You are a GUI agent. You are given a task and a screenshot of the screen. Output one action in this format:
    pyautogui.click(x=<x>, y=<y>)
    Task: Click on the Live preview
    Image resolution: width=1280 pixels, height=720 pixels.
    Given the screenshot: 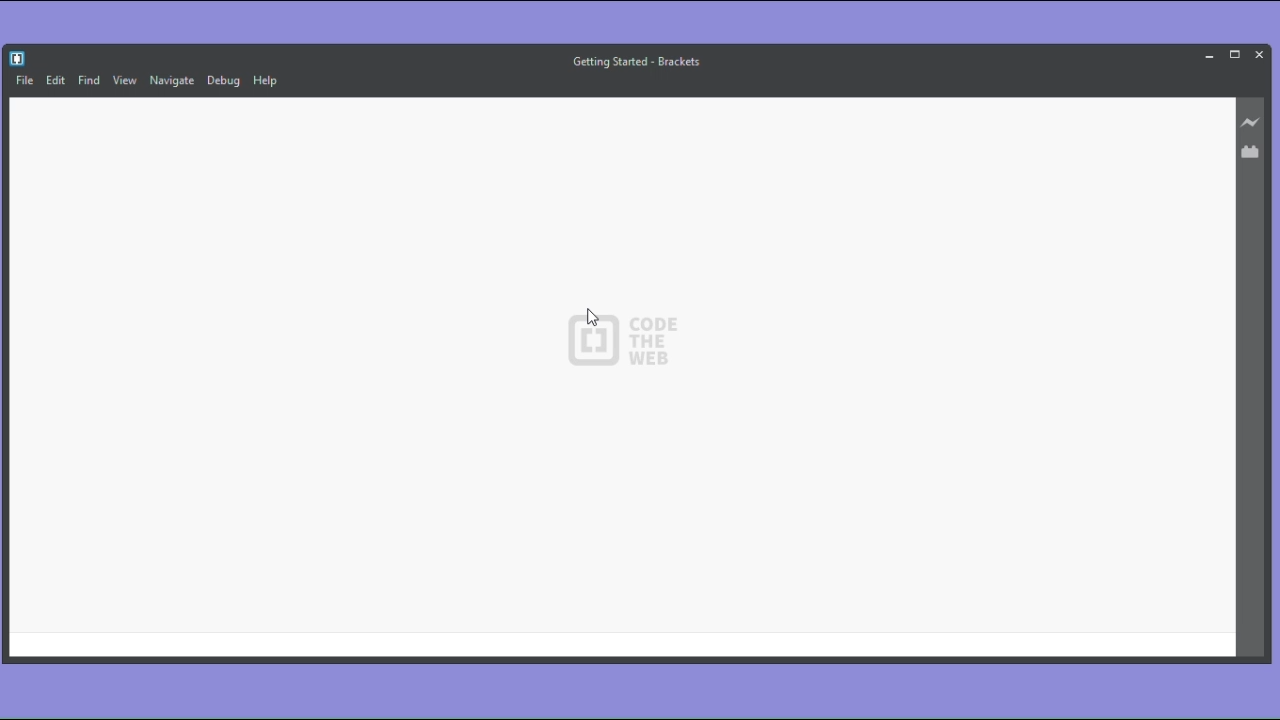 What is the action you would take?
    pyautogui.click(x=1251, y=122)
    